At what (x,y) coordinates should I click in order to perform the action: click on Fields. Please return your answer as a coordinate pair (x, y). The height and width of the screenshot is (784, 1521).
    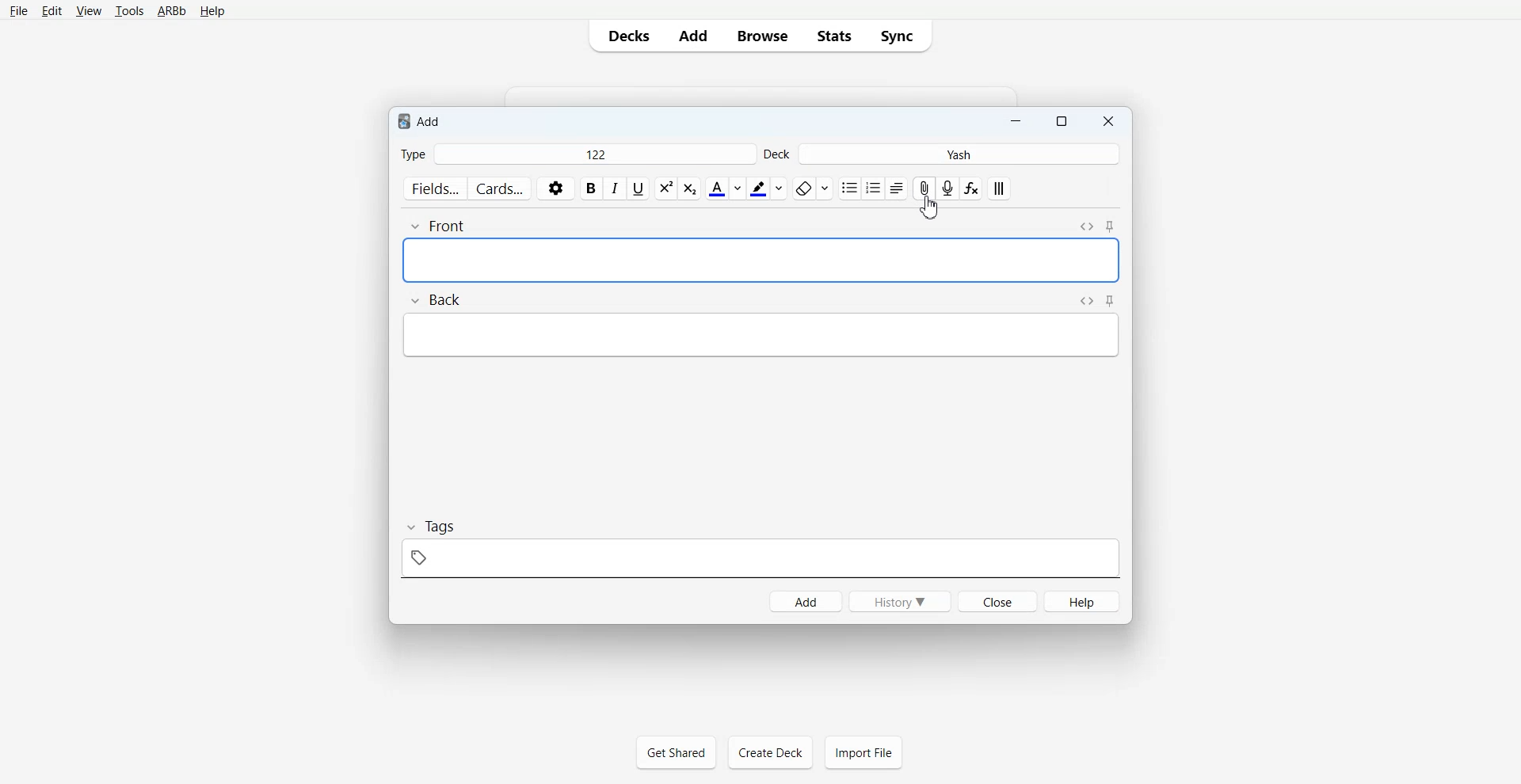
    Looking at the image, I should click on (435, 188).